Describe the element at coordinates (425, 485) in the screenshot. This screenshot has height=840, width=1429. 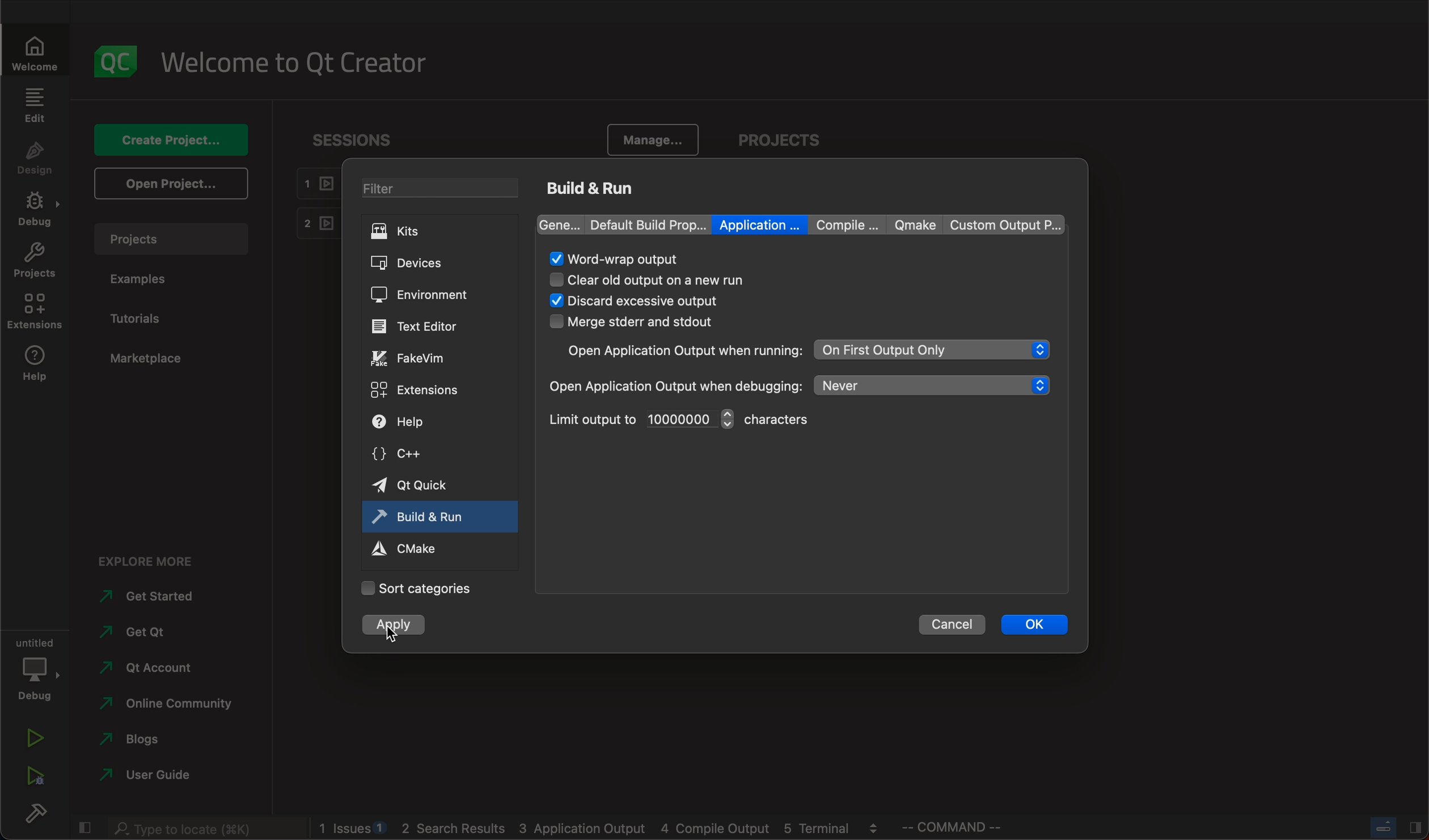
I see `quick` at that location.